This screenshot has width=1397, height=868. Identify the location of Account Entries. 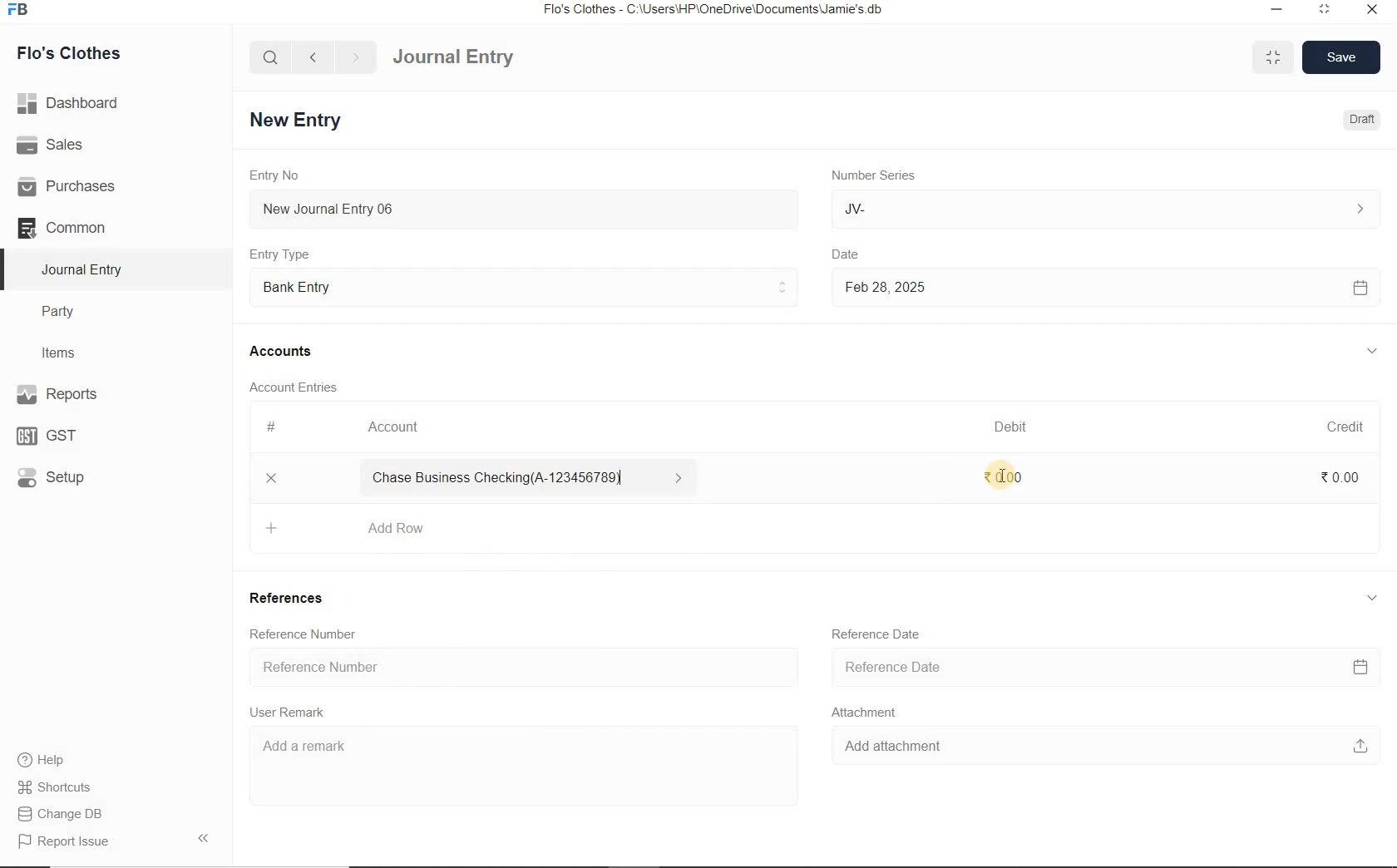
(300, 387).